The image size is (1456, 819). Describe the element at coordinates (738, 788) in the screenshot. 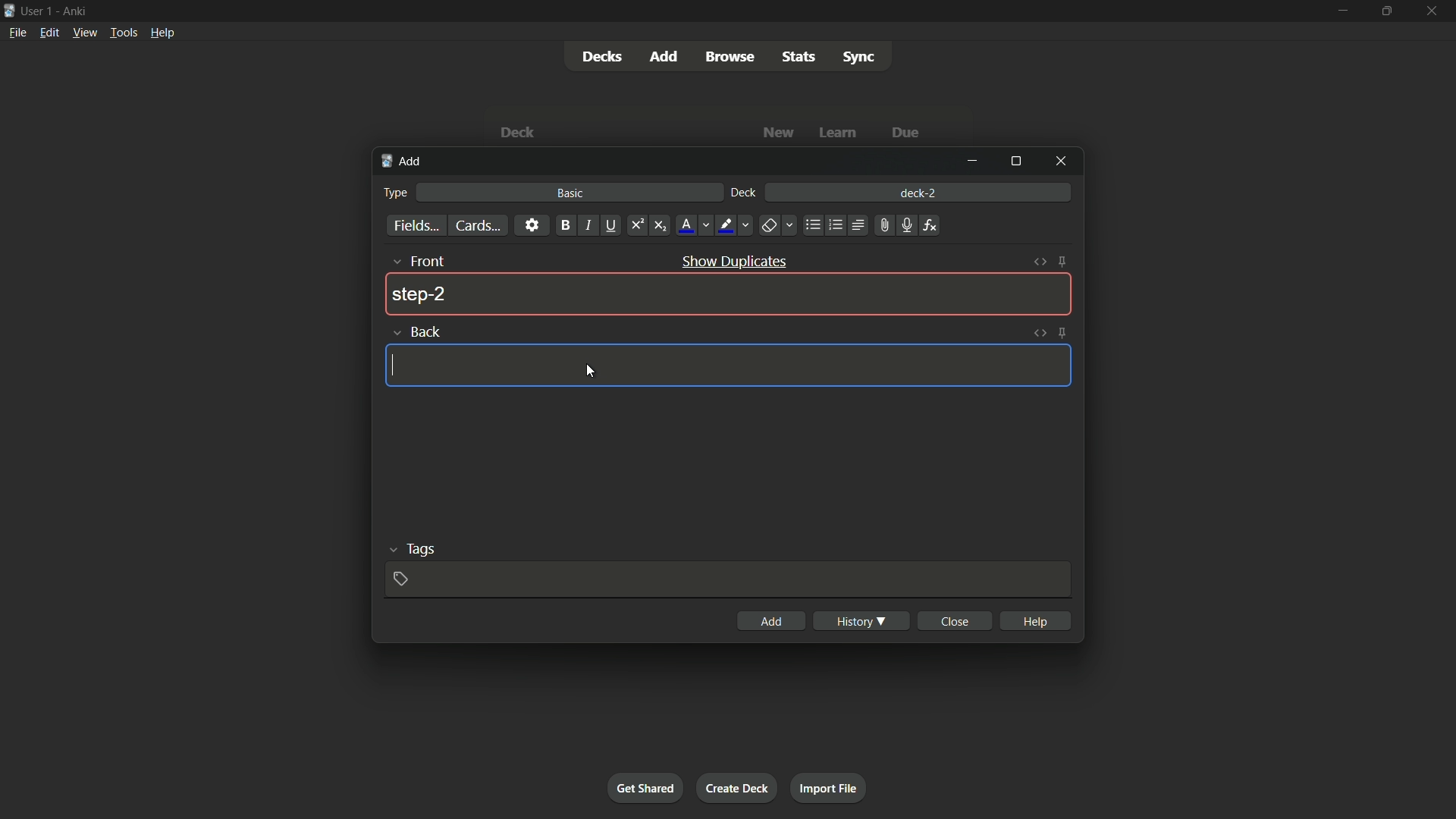

I see `create  deck` at that location.